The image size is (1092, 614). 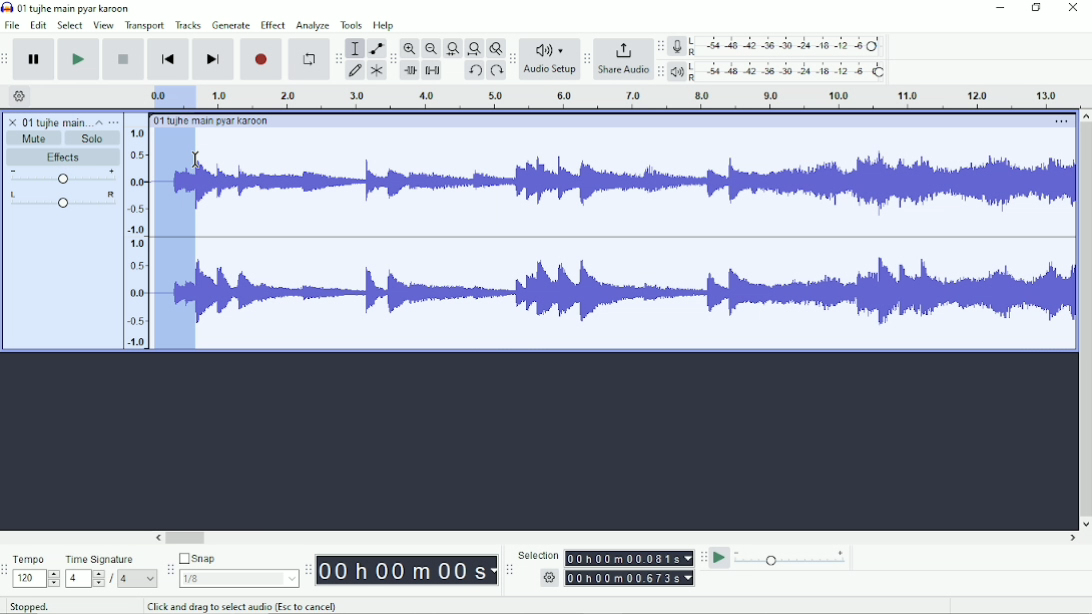 What do you see at coordinates (62, 201) in the screenshot?
I see `Pan` at bounding box center [62, 201].